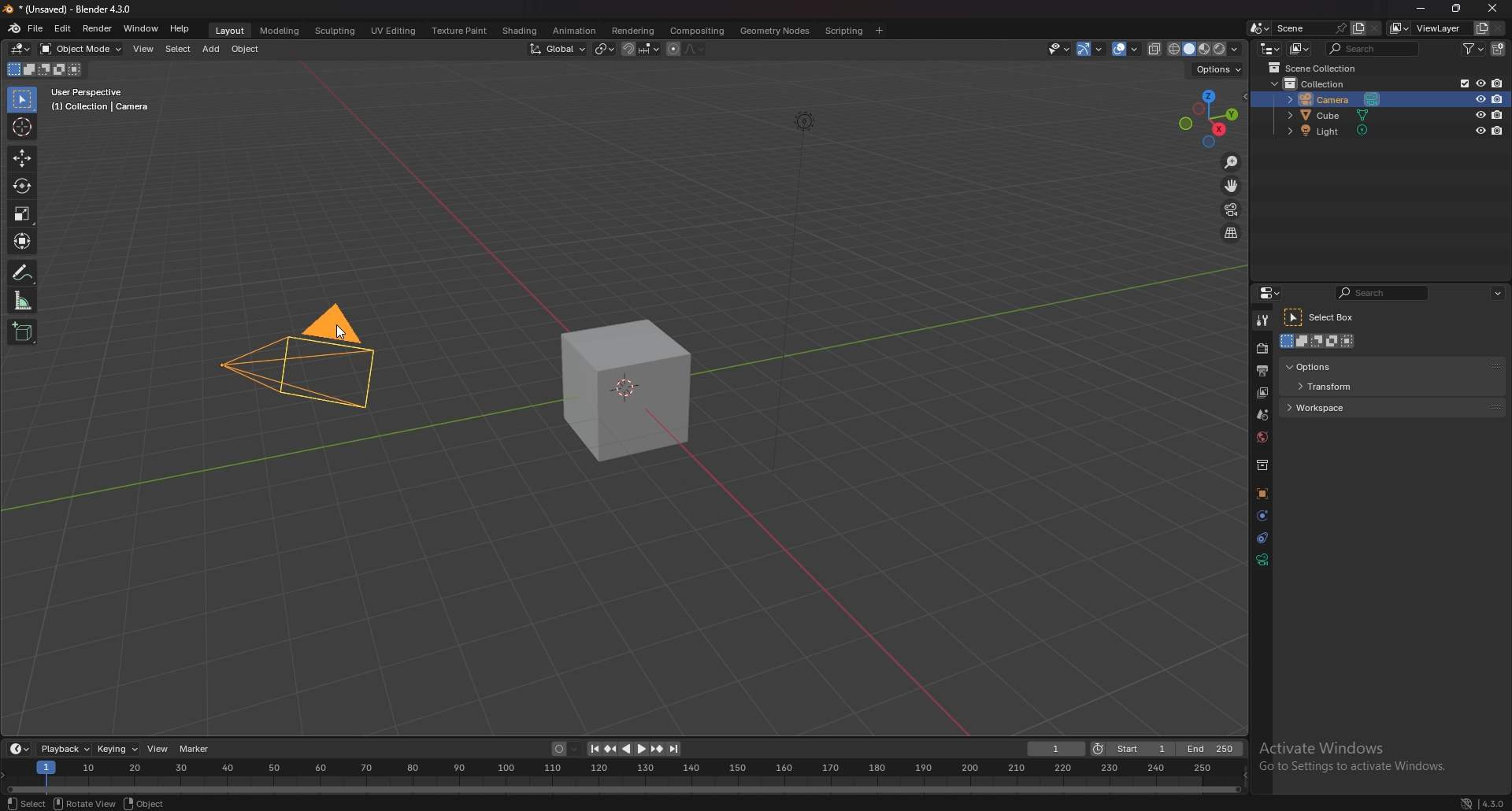 The height and width of the screenshot is (811, 1512). I want to click on scene, so click(1308, 28).